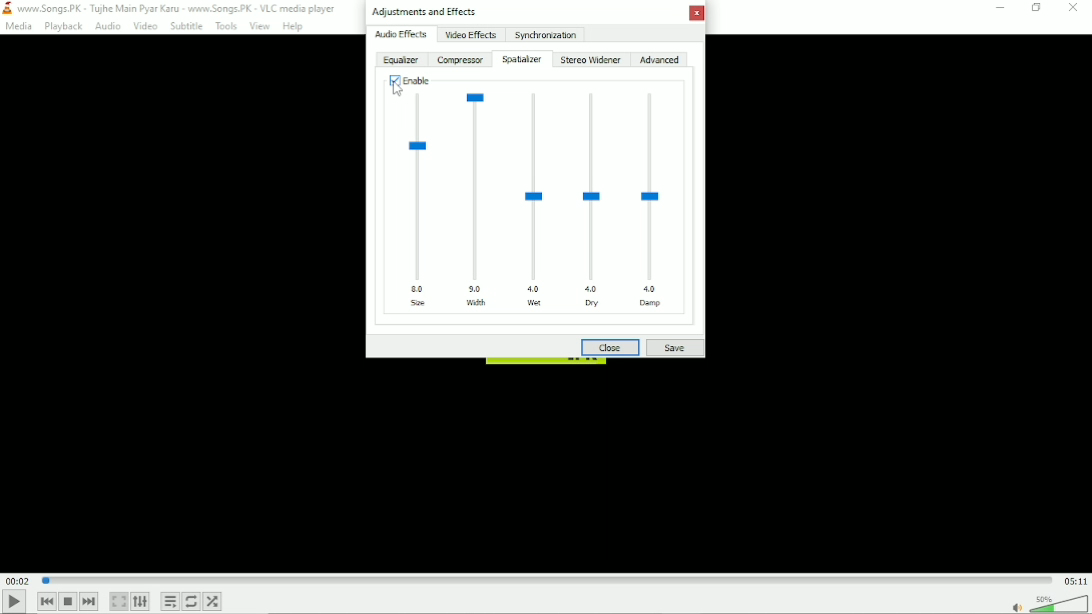 Image resolution: width=1092 pixels, height=614 pixels. Describe the element at coordinates (1000, 9) in the screenshot. I see `Minimize` at that location.